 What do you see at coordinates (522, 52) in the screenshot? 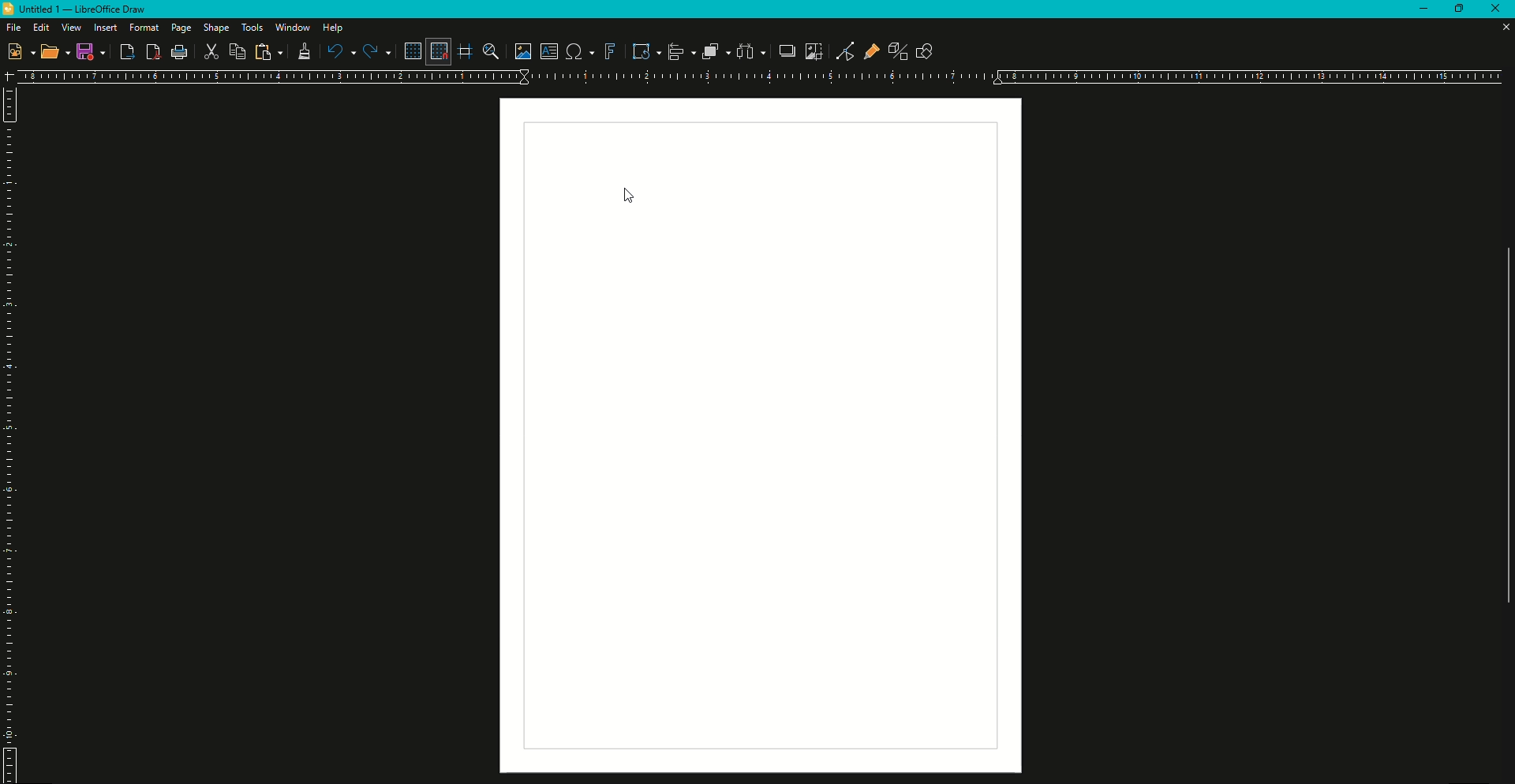
I see `Insert Image` at bounding box center [522, 52].